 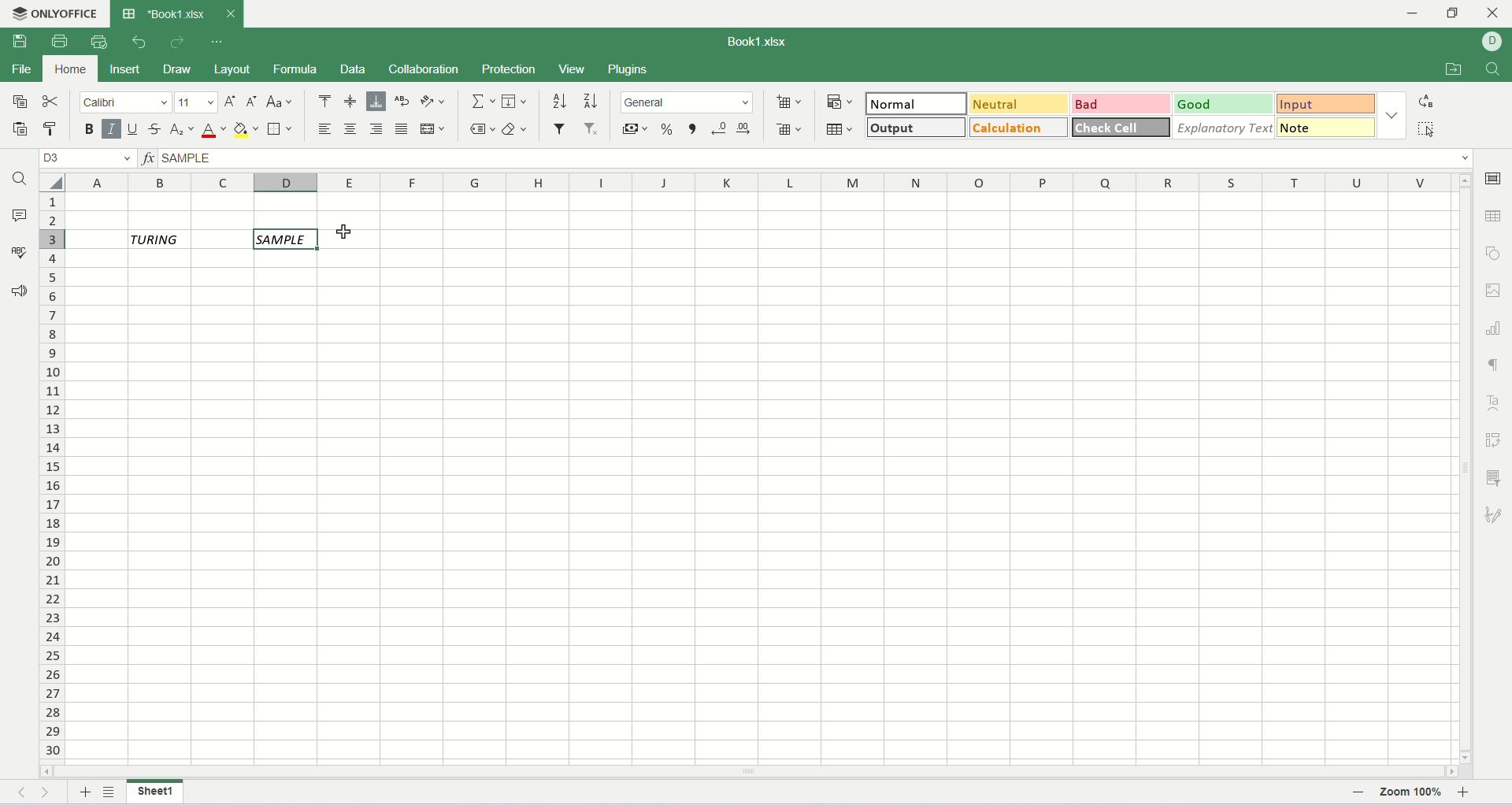 I want to click on align middle, so click(x=352, y=103).